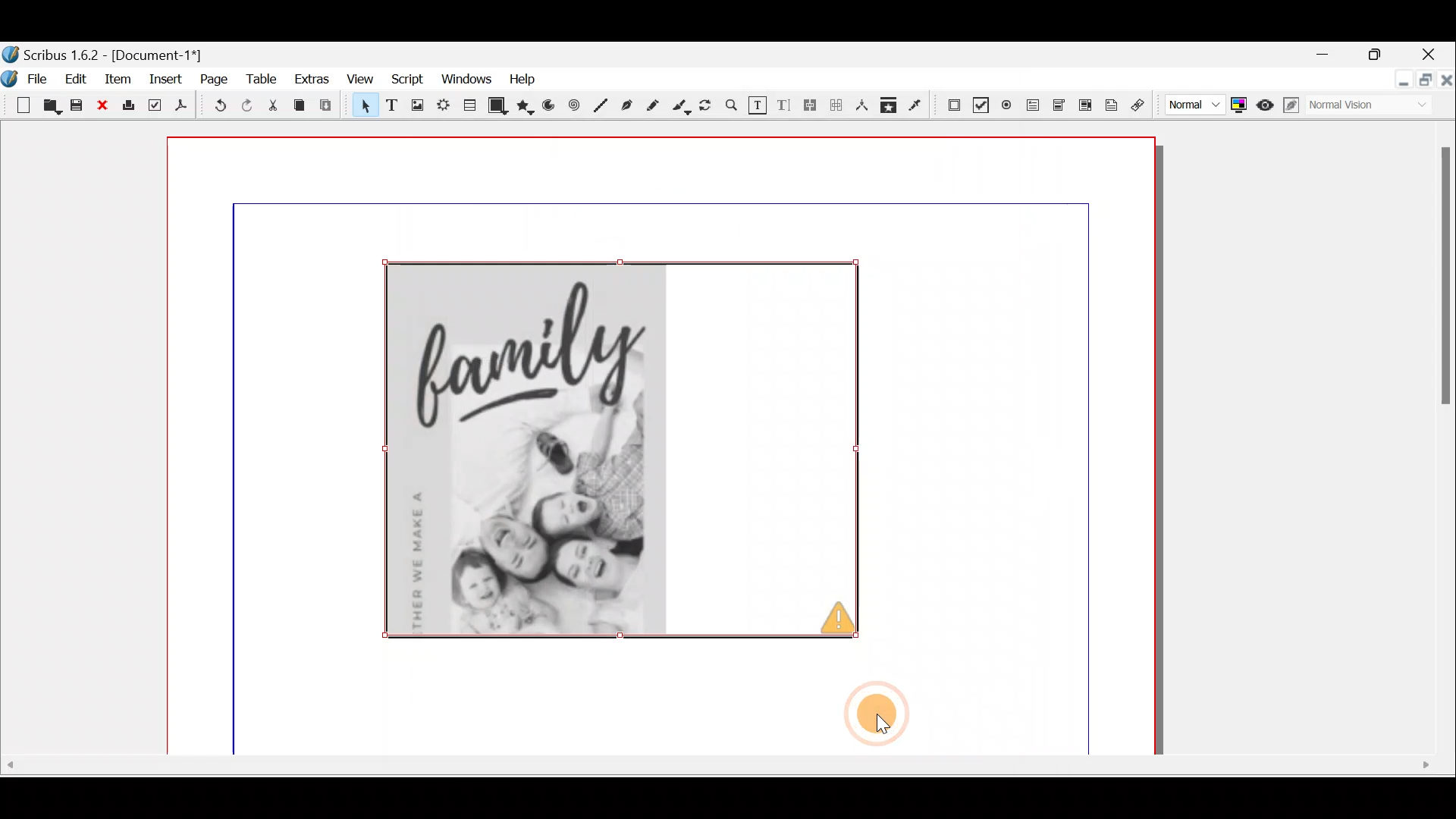 The width and height of the screenshot is (1456, 819). I want to click on Edit text with story editor, so click(783, 104).